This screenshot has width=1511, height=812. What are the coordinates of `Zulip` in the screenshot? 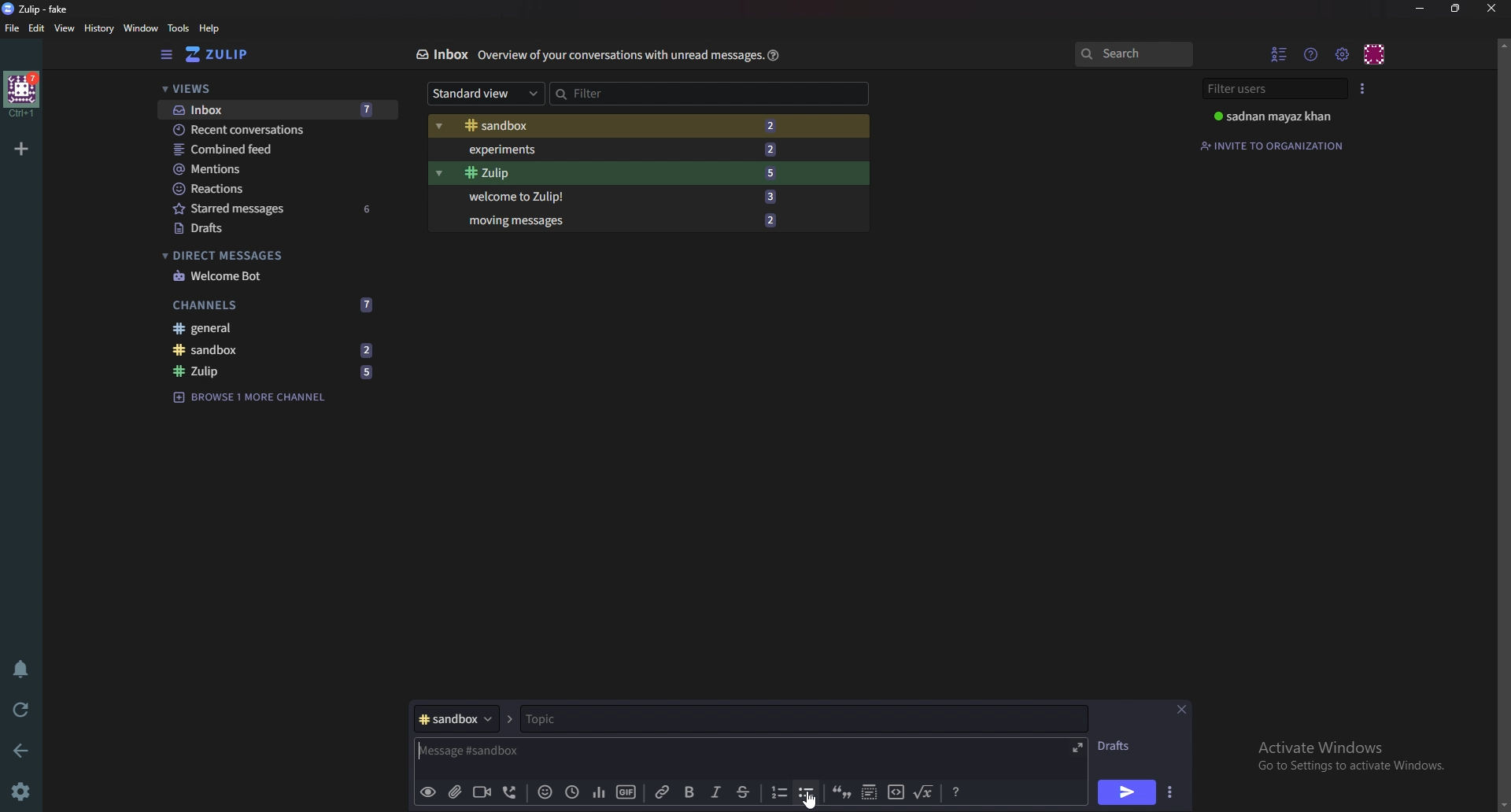 It's located at (275, 372).